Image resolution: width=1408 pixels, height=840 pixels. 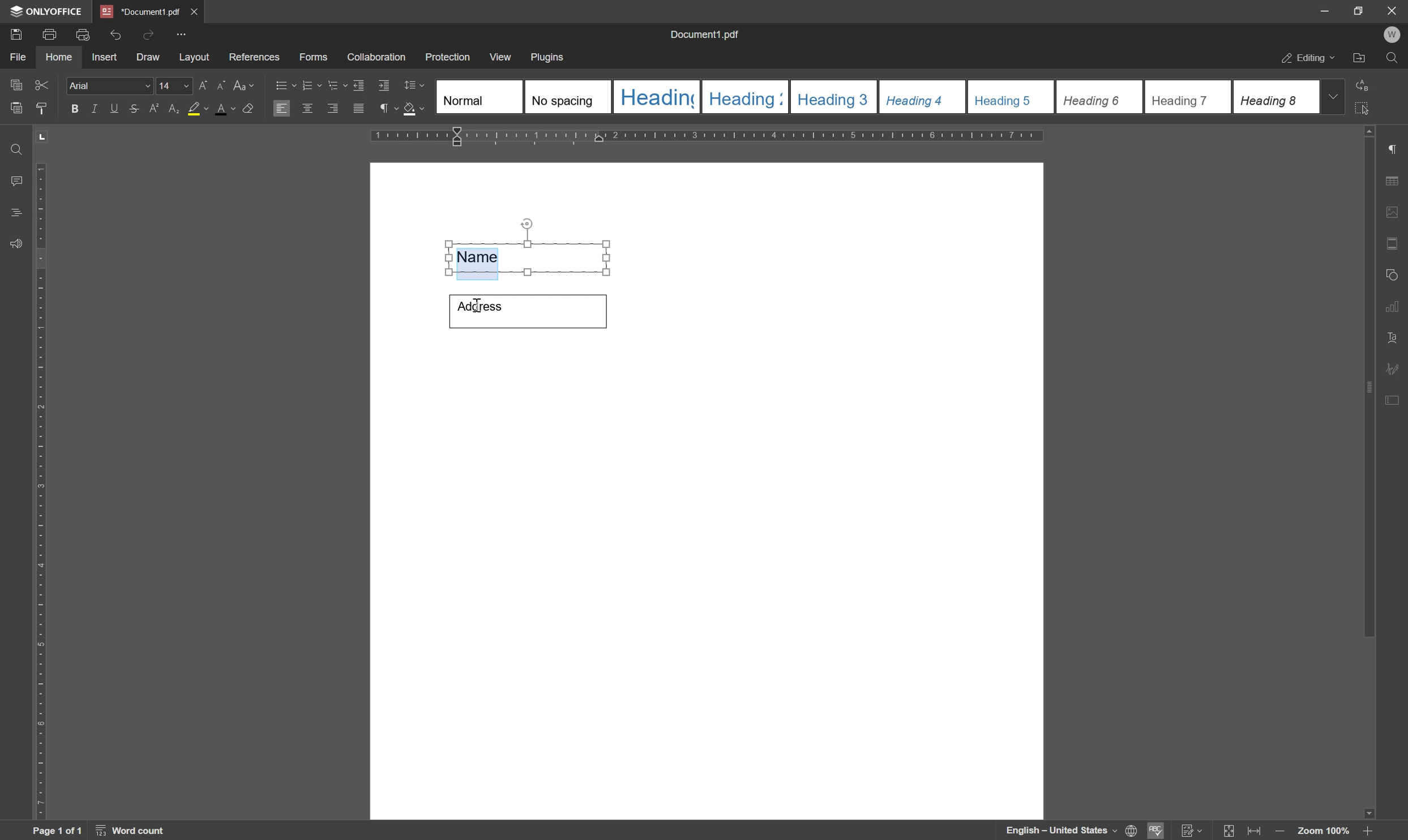 What do you see at coordinates (311, 84) in the screenshot?
I see `numbering` at bounding box center [311, 84].